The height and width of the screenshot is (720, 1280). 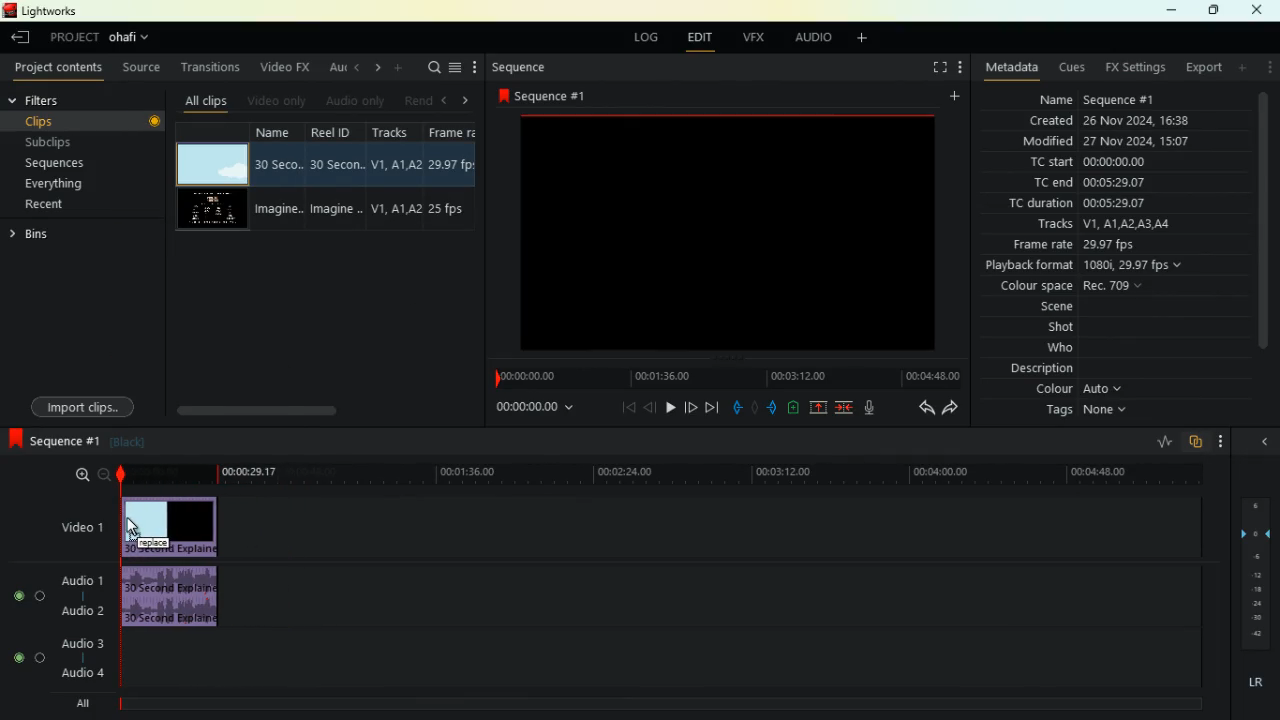 What do you see at coordinates (86, 474) in the screenshot?
I see `zoom` at bounding box center [86, 474].